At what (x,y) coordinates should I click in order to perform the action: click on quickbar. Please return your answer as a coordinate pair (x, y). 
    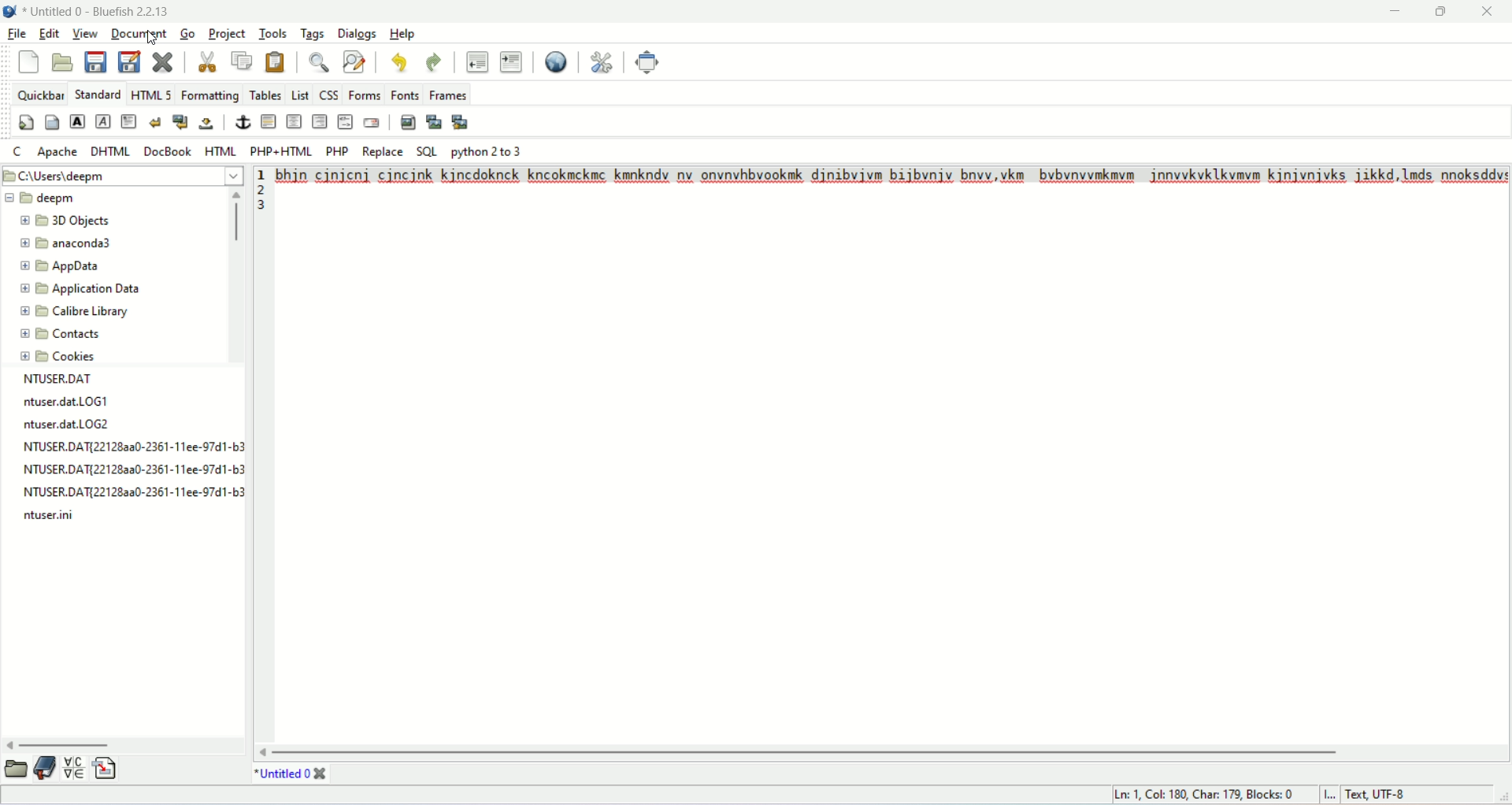
    Looking at the image, I should click on (41, 98).